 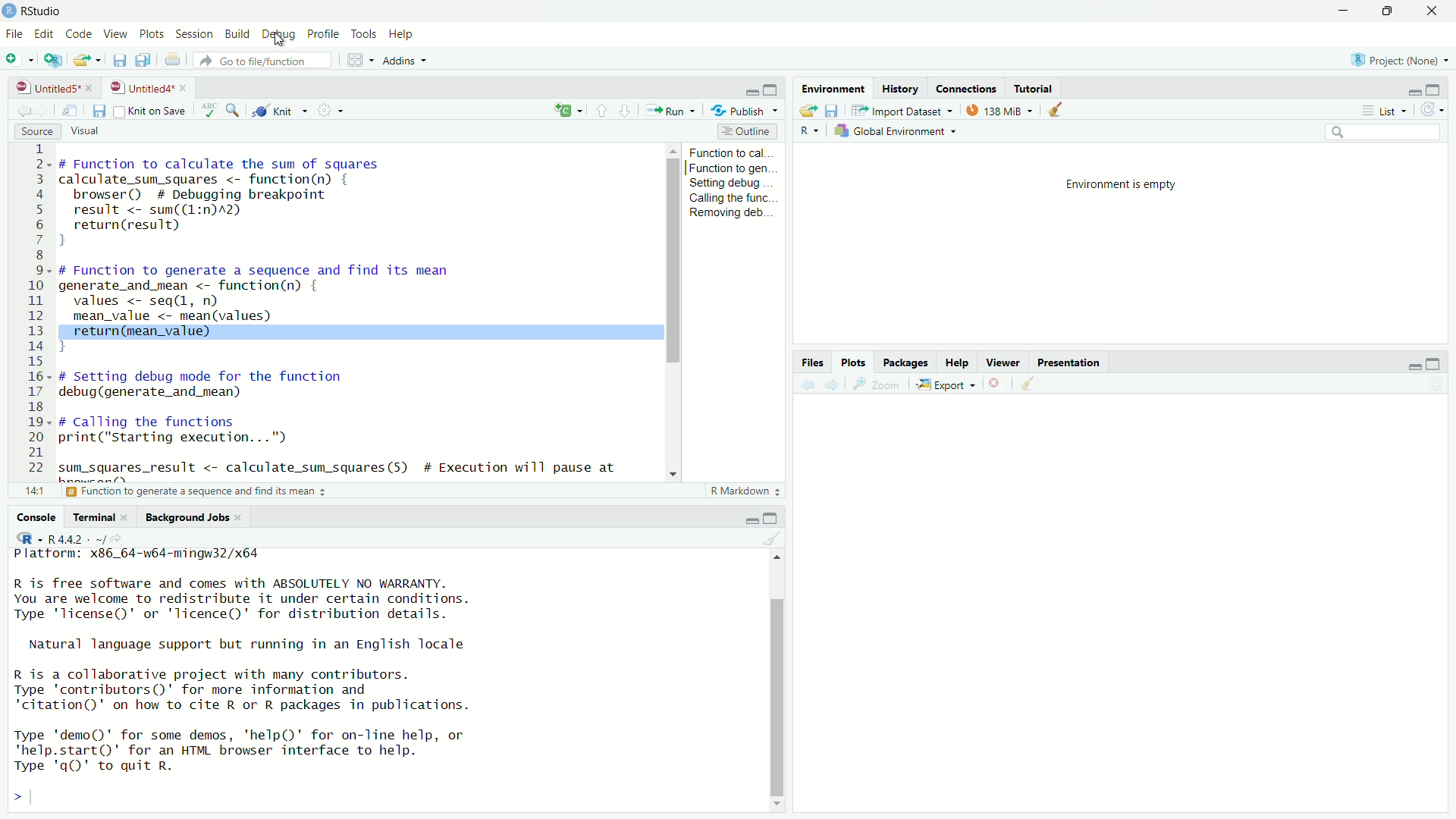 What do you see at coordinates (1125, 608) in the screenshot?
I see `empty plot area` at bounding box center [1125, 608].